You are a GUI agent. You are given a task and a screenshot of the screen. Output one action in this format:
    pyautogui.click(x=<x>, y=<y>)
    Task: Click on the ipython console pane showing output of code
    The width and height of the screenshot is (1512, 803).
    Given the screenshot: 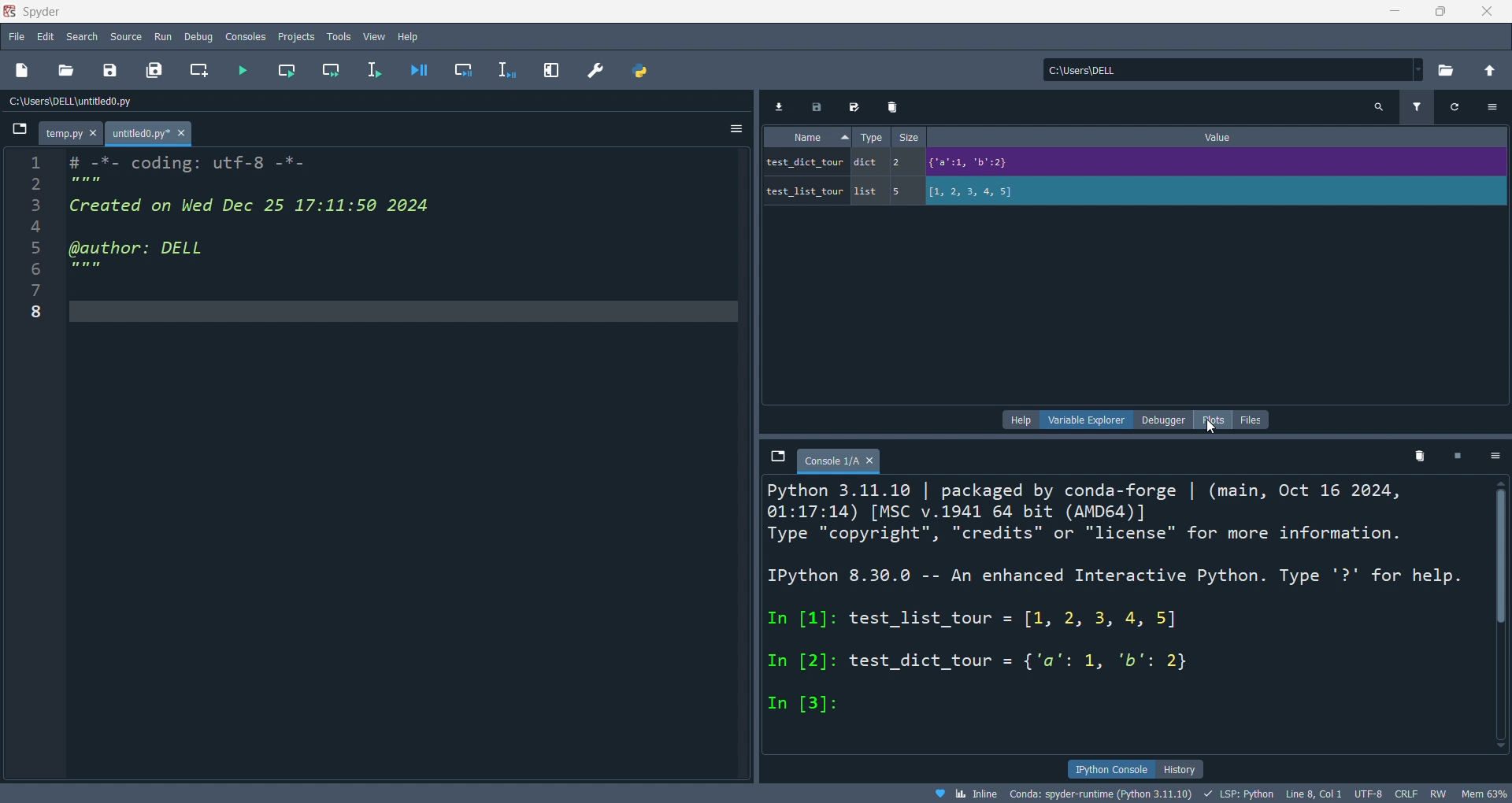 What is the action you would take?
    pyautogui.click(x=1125, y=617)
    